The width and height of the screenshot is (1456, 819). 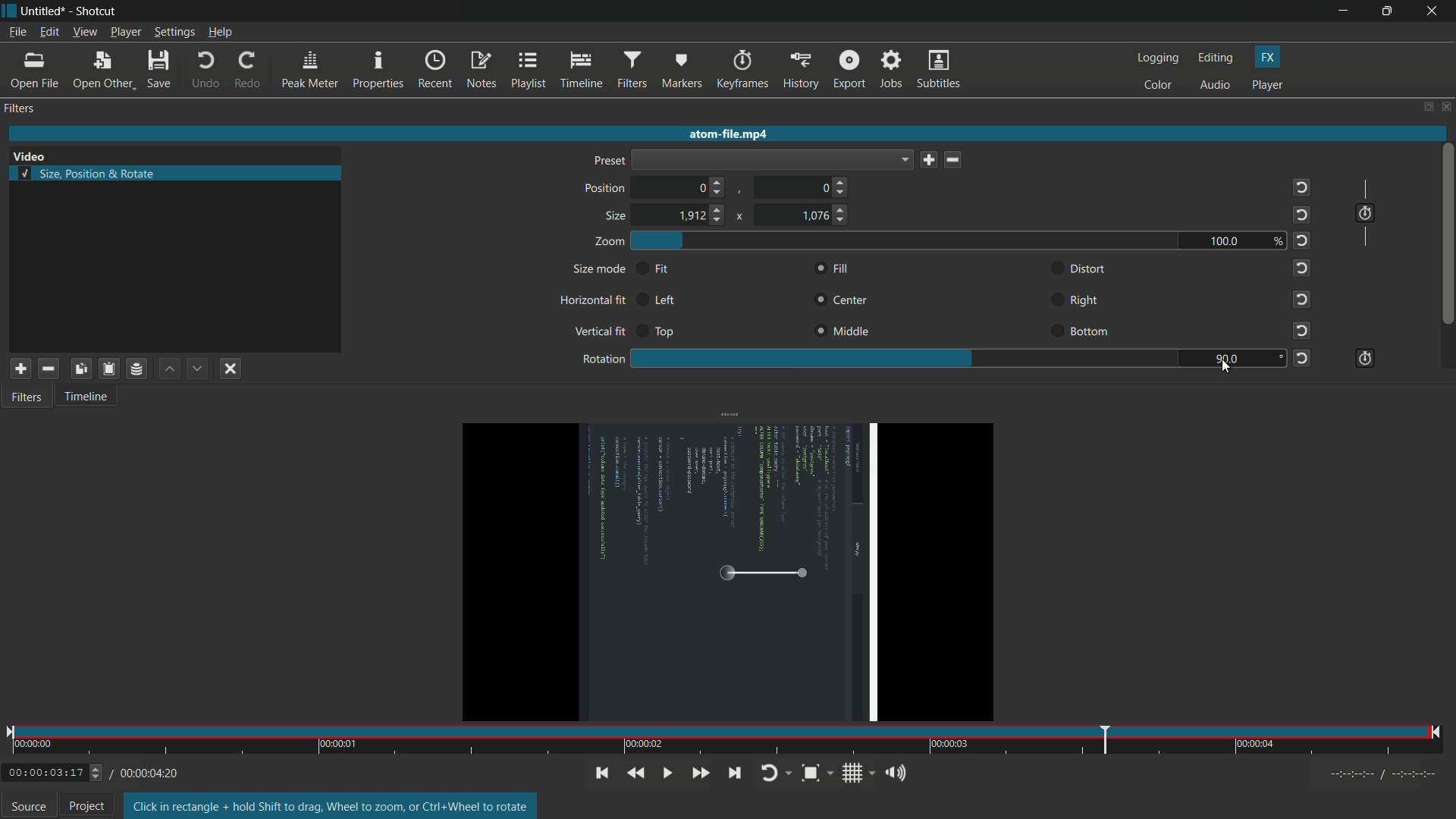 I want to click on video rotated by 90 degree, so click(x=730, y=573).